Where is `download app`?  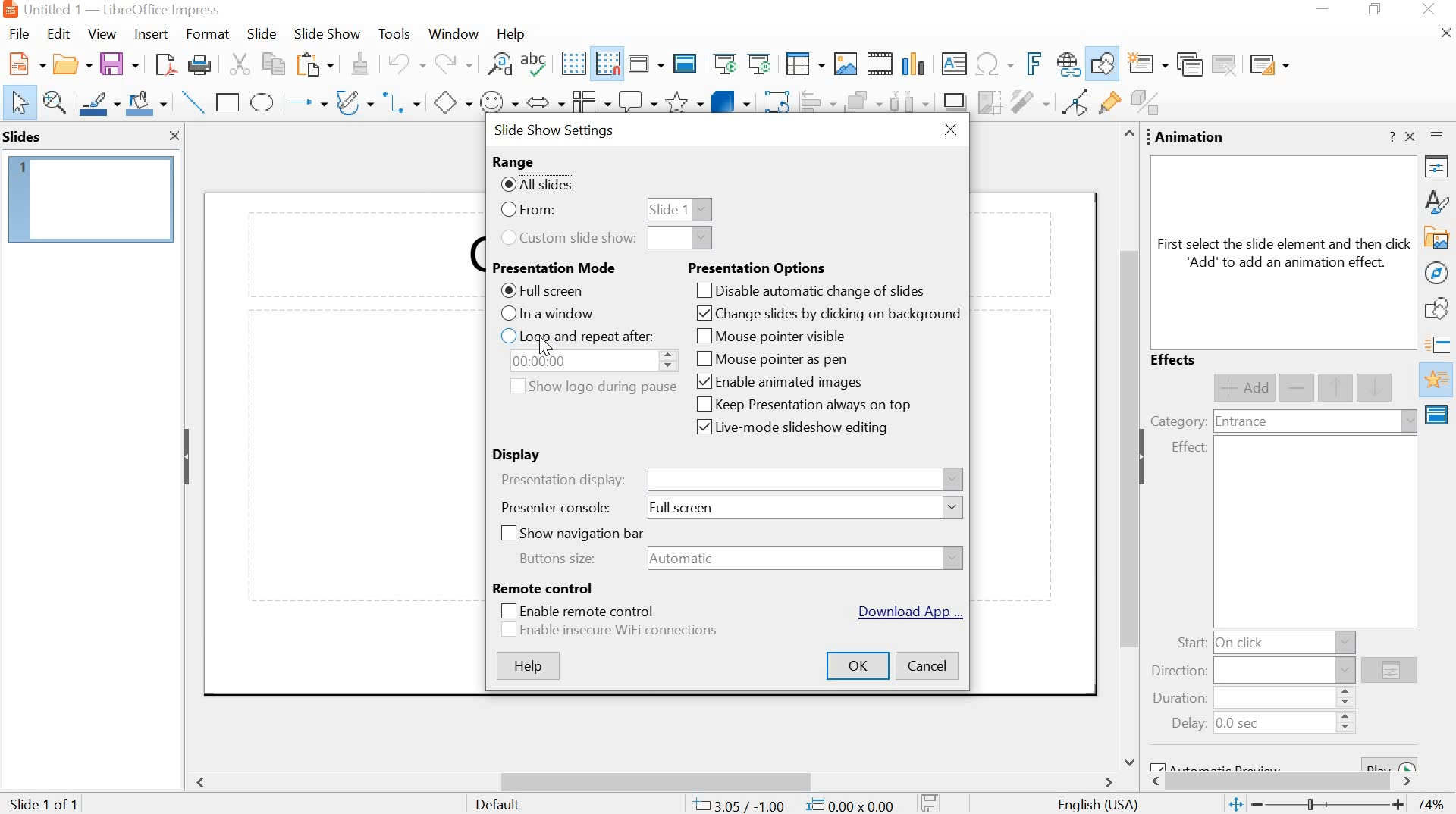
download app is located at coordinates (907, 612).